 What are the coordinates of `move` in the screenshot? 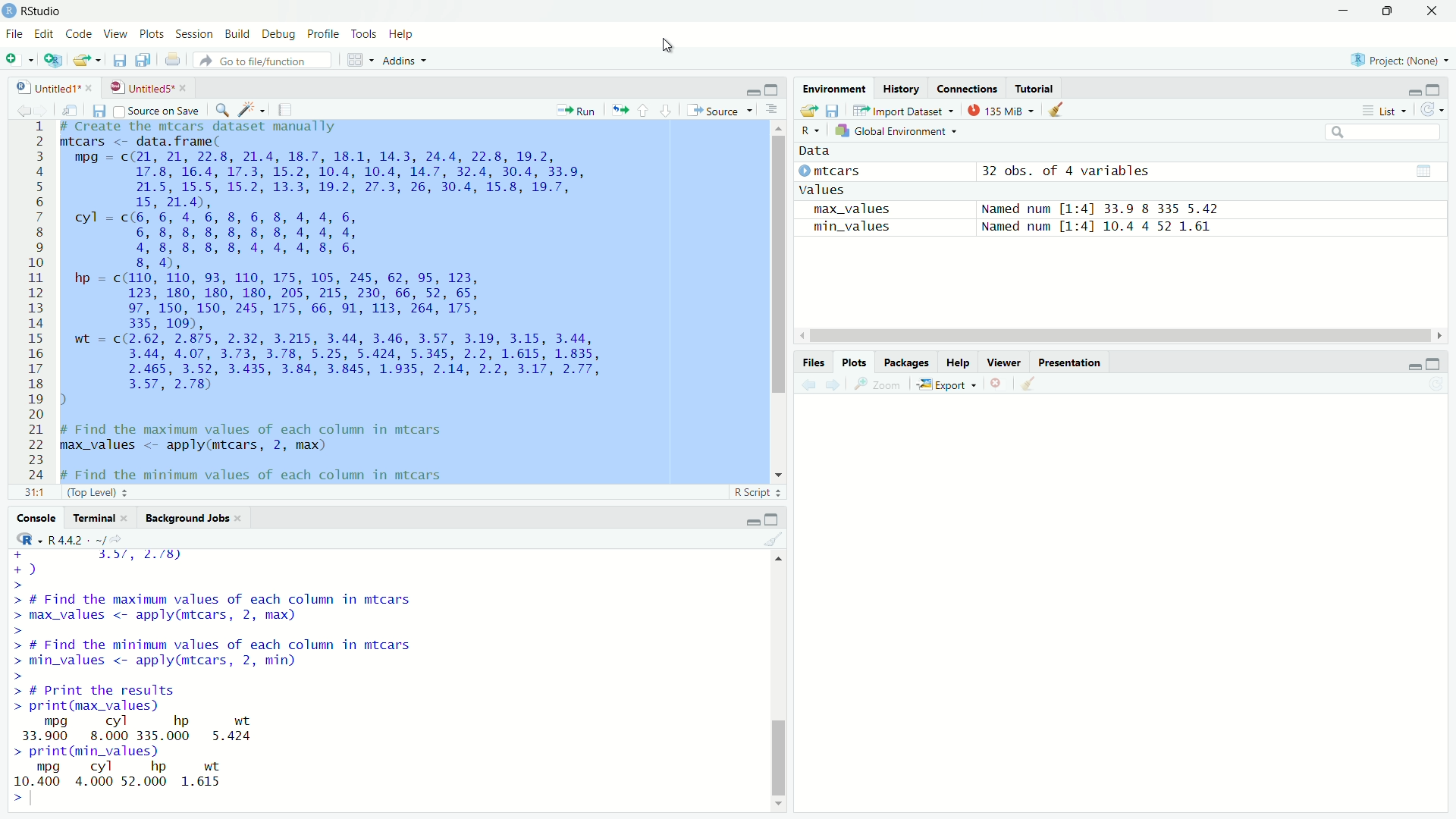 It's located at (89, 61).